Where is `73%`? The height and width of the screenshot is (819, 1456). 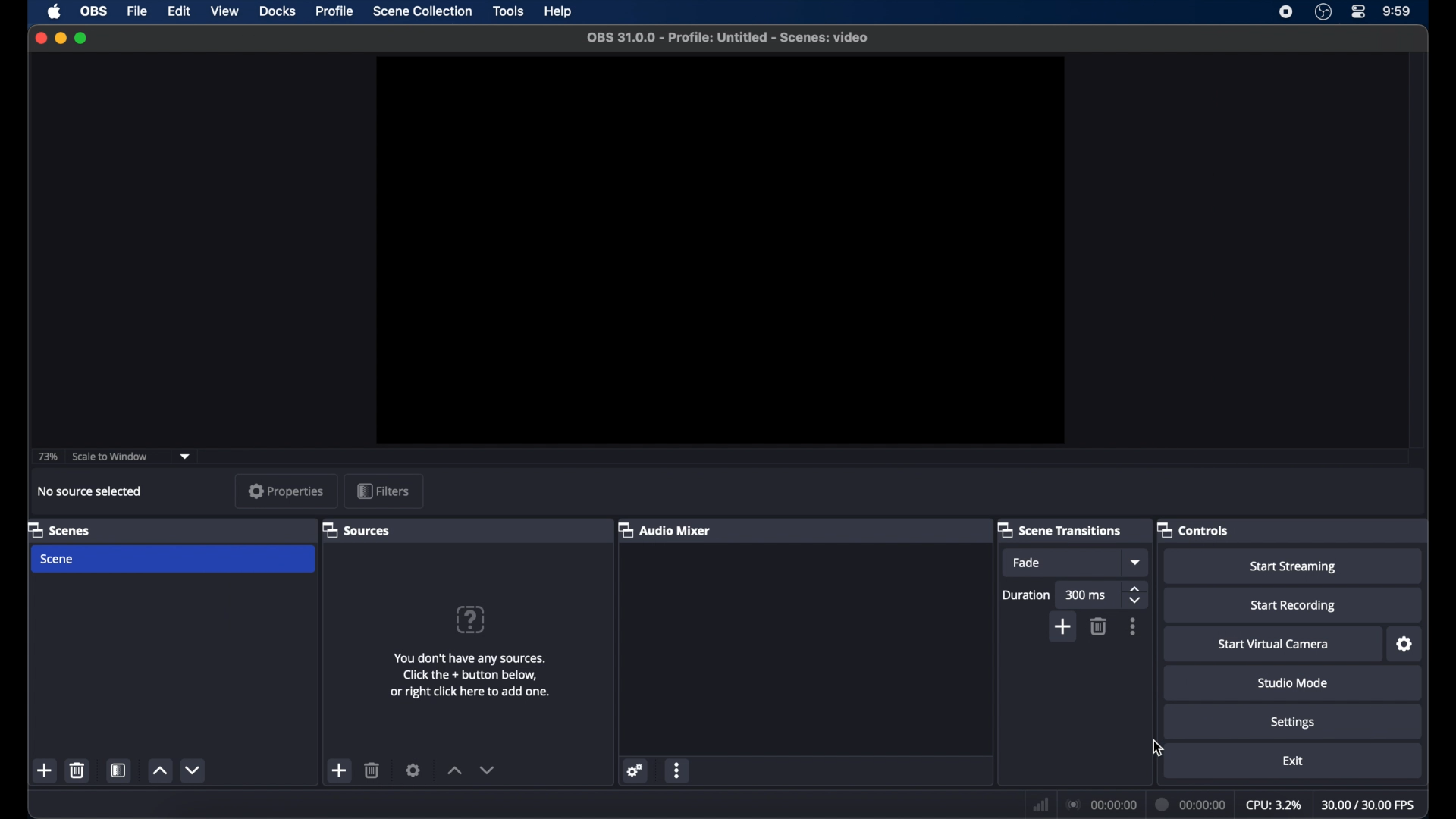 73% is located at coordinates (46, 457).